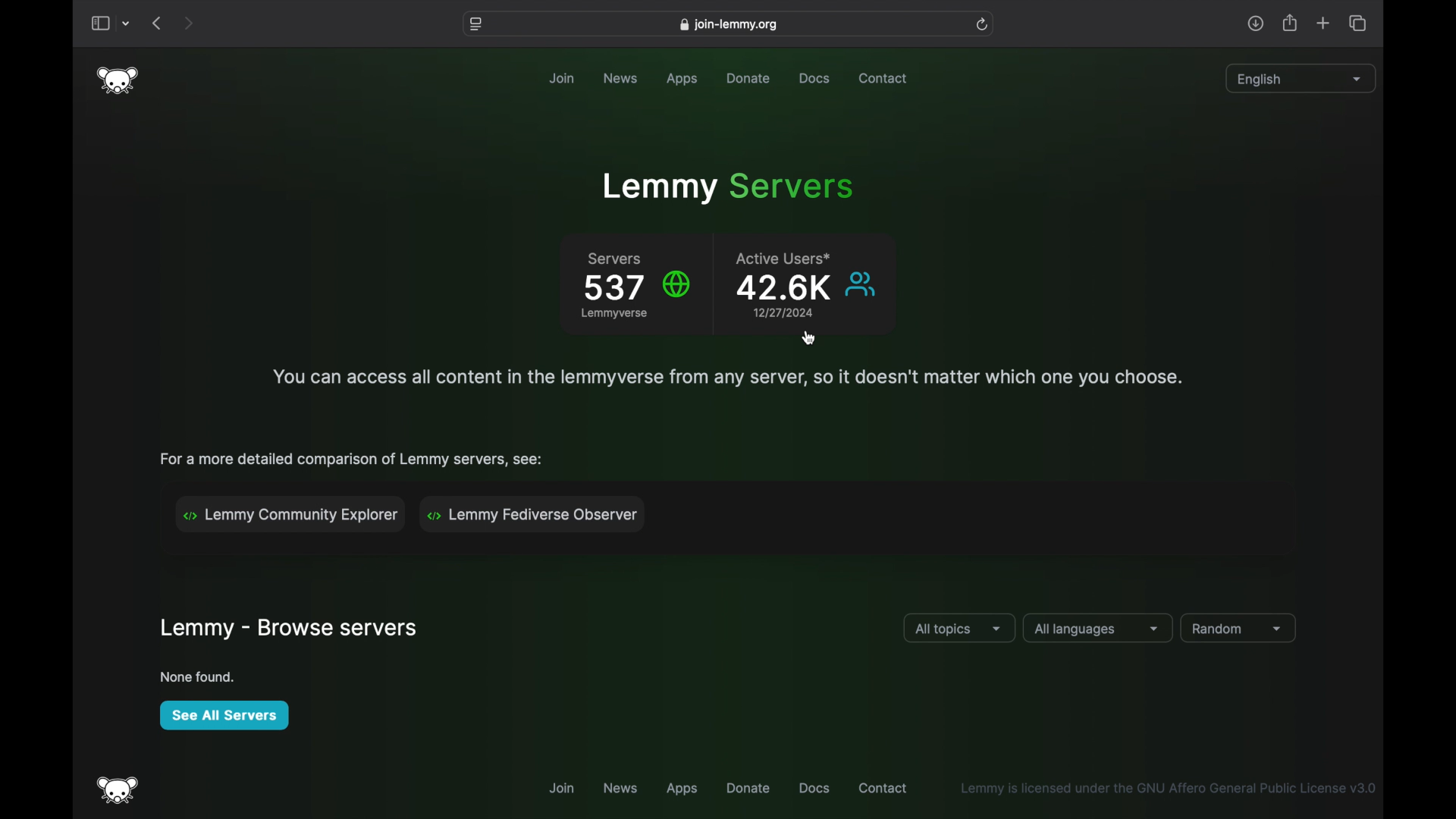 The height and width of the screenshot is (819, 1456). Describe the element at coordinates (728, 26) in the screenshot. I see `web address` at that location.